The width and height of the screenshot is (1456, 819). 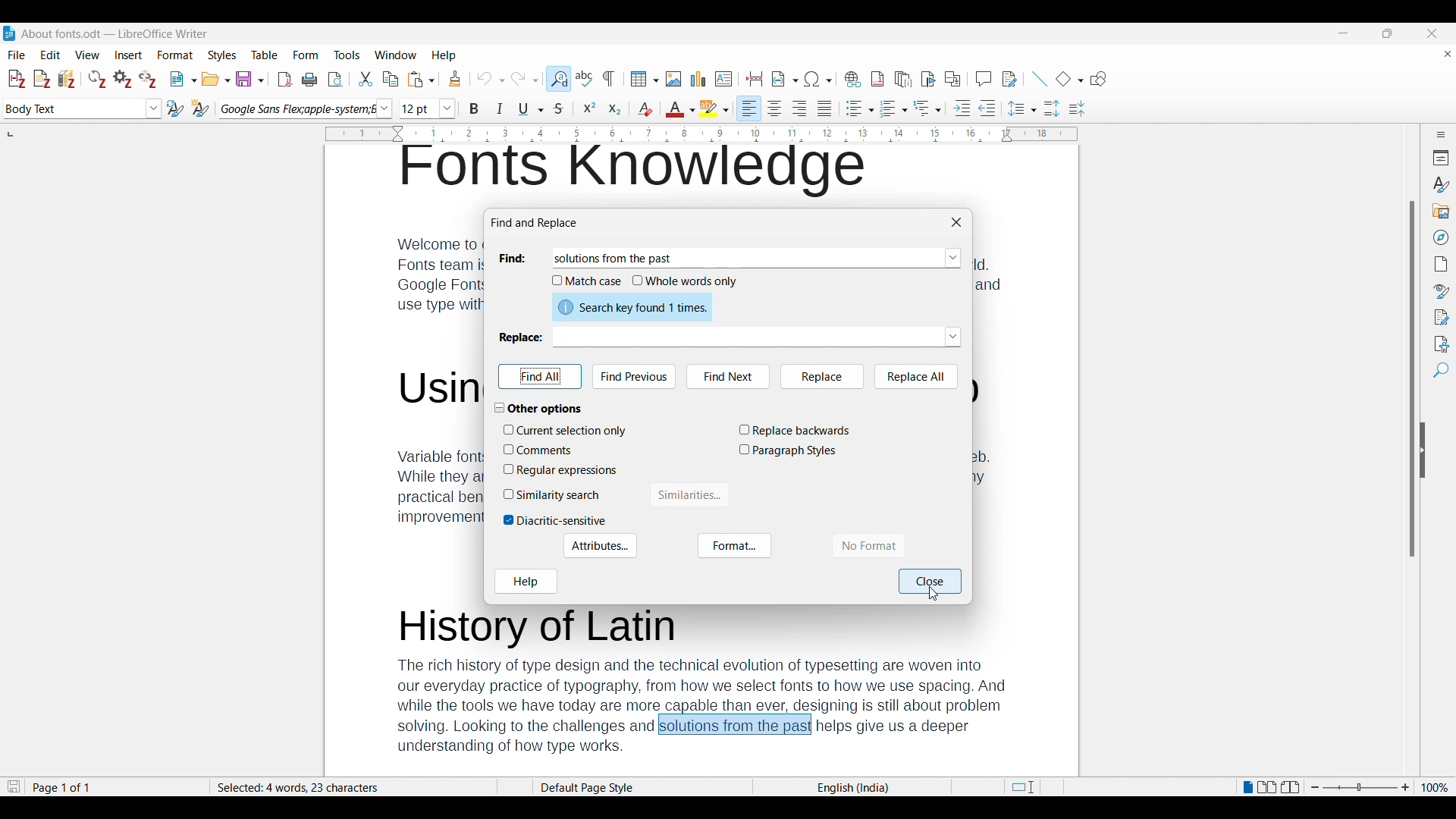 I want to click on Accessibility check, so click(x=1439, y=344).